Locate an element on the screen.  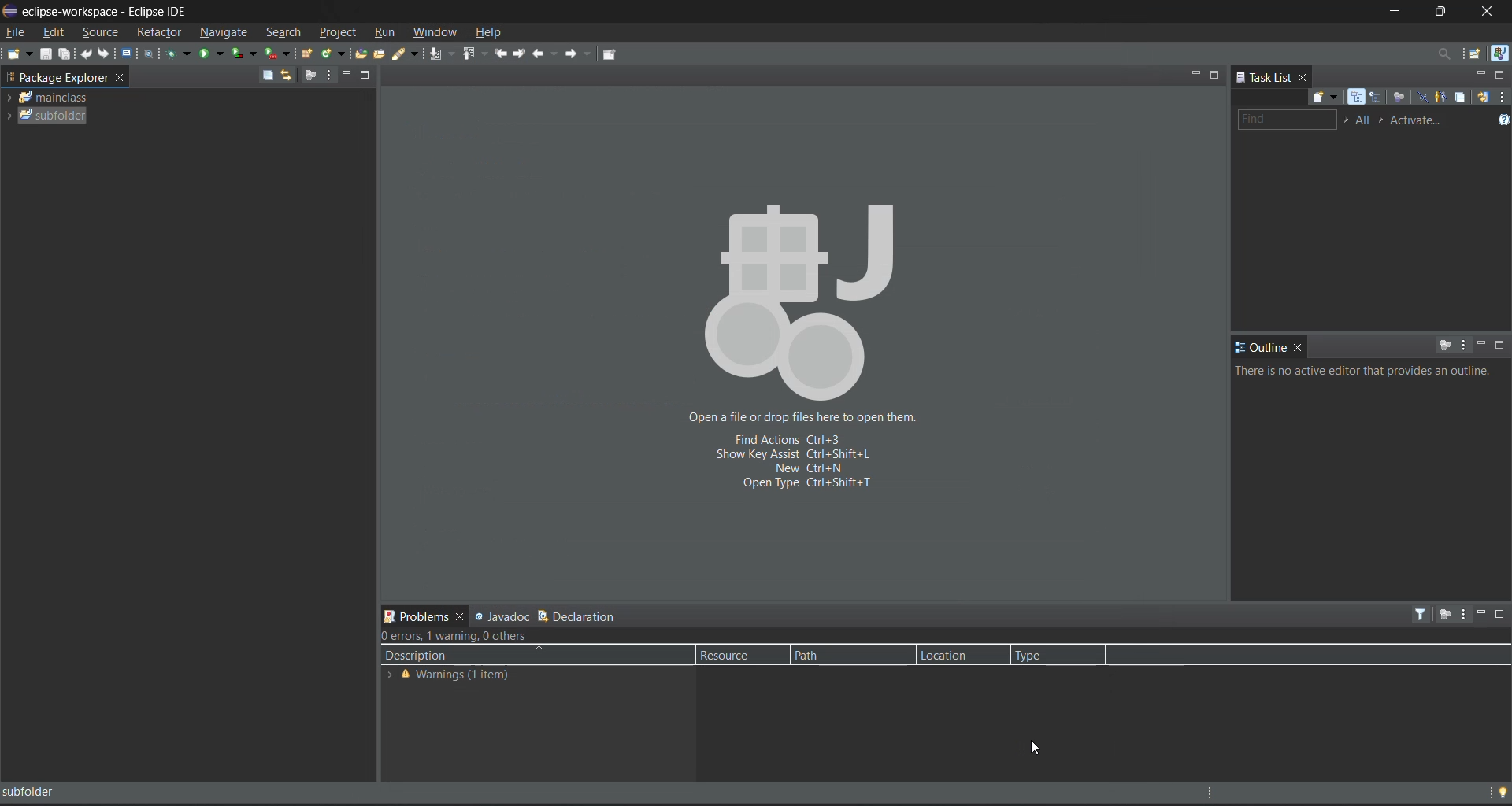
eclipse-workspace - Eclipse IDE is located at coordinates (98, 9).